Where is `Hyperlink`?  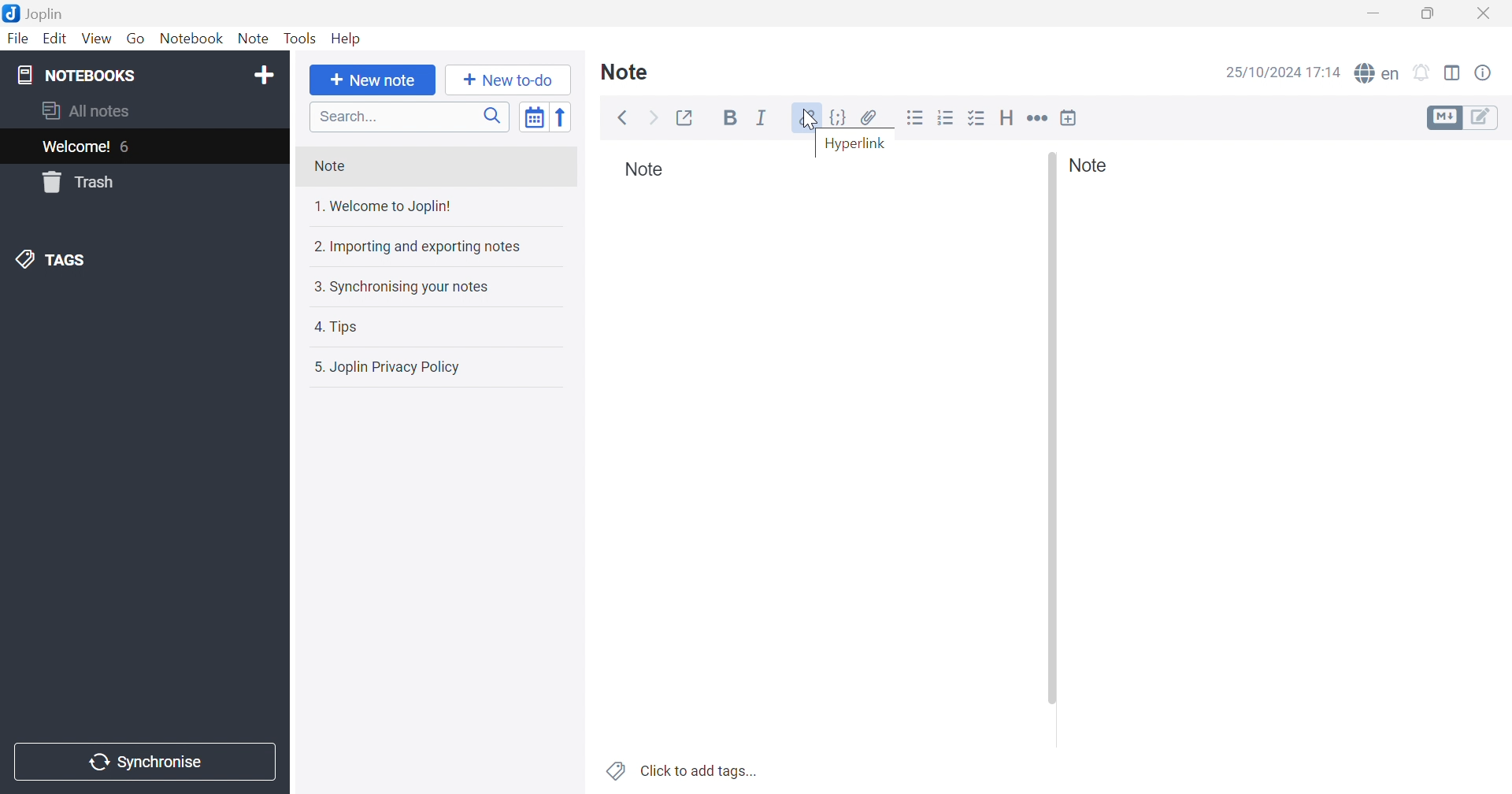
Hyperlink is located at coordinates (857, 144).